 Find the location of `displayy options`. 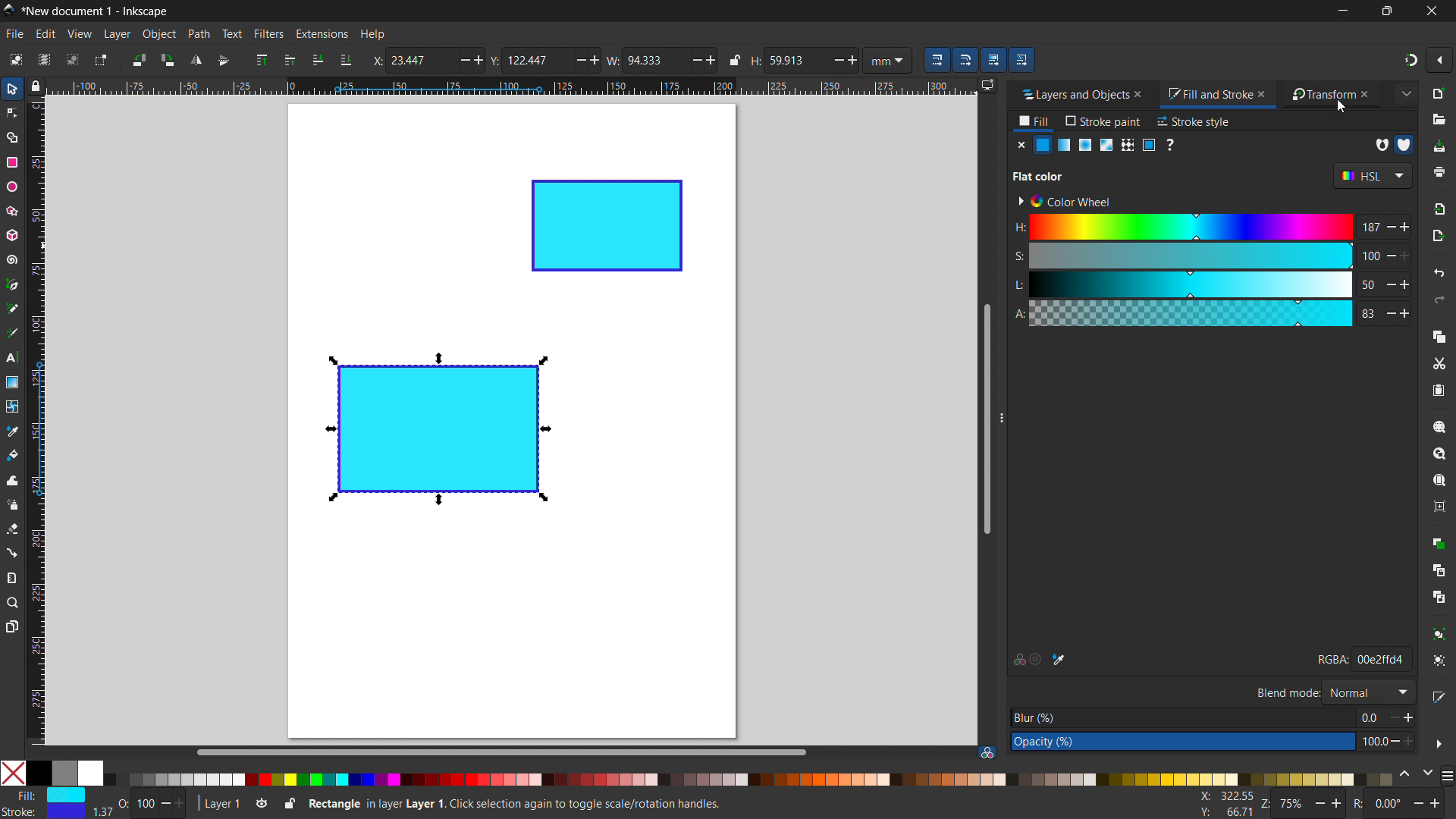

displayy options is located at coordinates (987, 85).